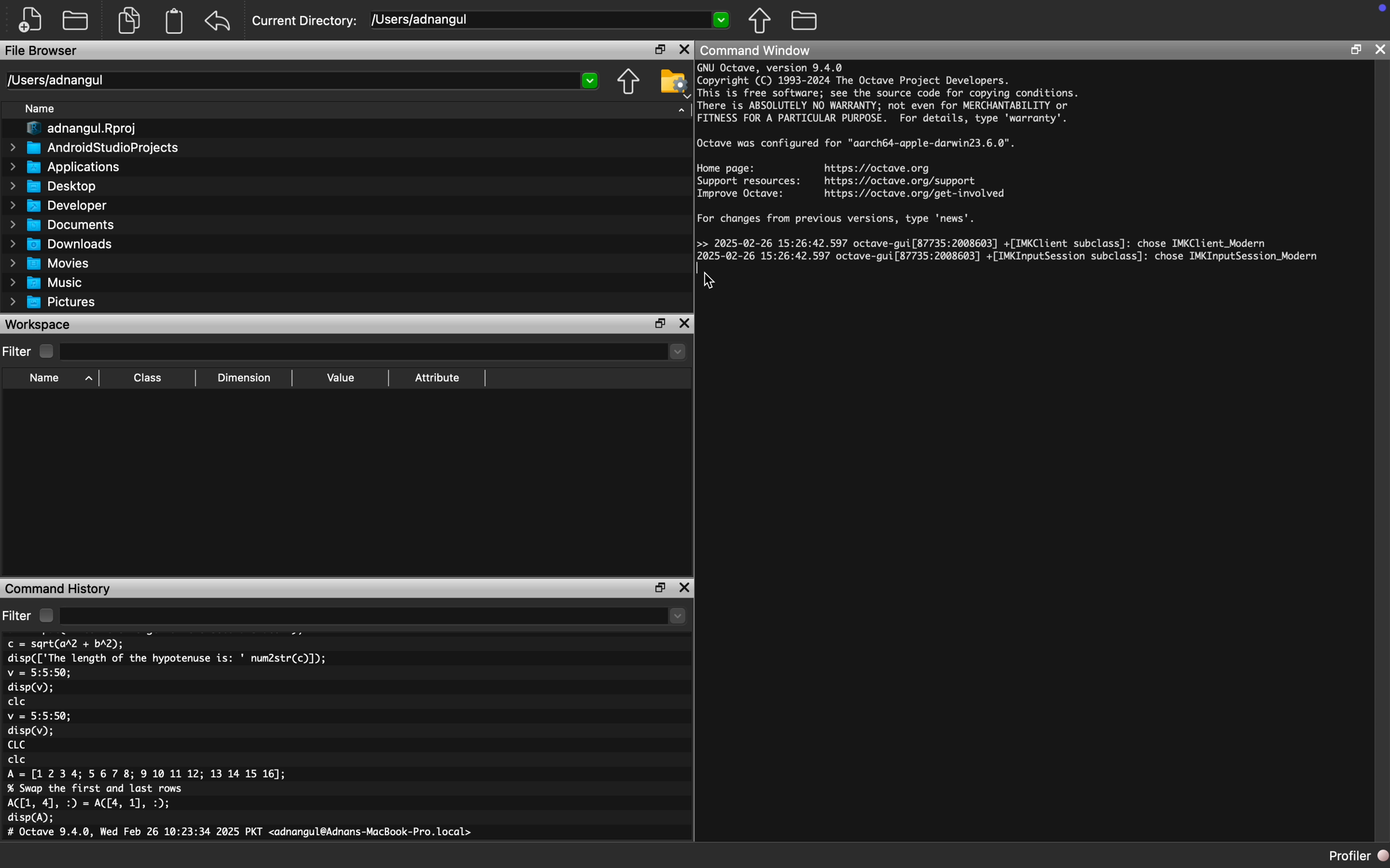 Image resolution: width=1390 pixels, height=868 pixels. I want to click on clc, so click(18, 760).